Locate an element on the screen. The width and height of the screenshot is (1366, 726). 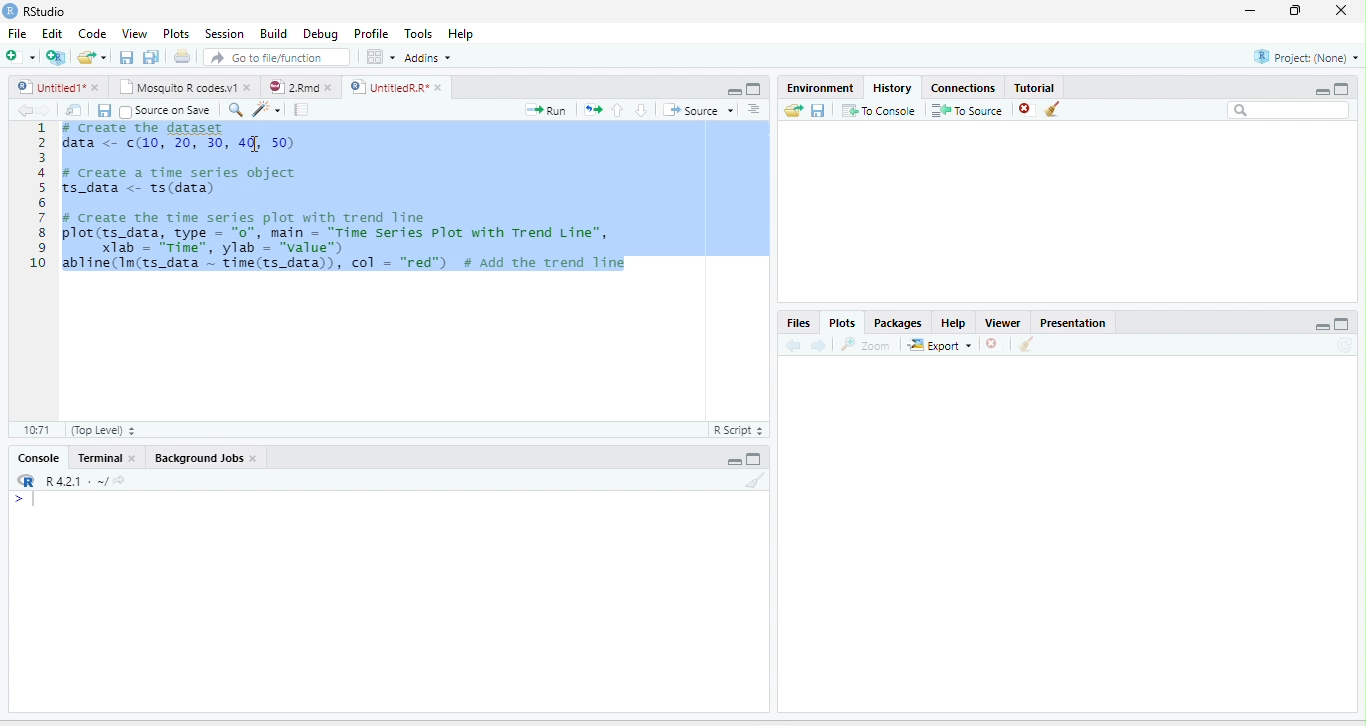
View is located at coordinates (133, 33).